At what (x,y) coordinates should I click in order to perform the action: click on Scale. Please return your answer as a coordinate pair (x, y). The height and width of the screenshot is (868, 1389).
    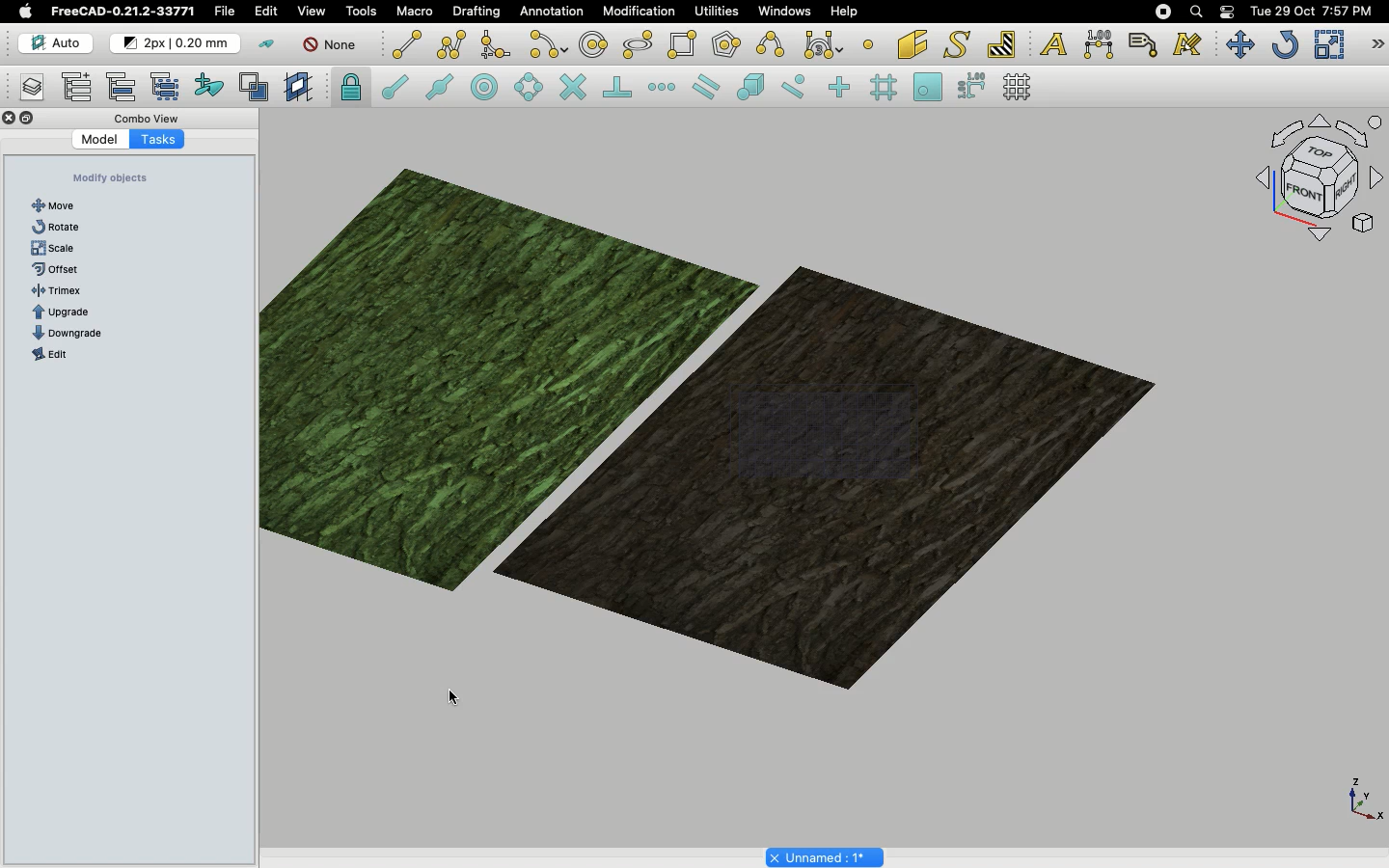
    Looking at the image, I should click on (1328, 44).